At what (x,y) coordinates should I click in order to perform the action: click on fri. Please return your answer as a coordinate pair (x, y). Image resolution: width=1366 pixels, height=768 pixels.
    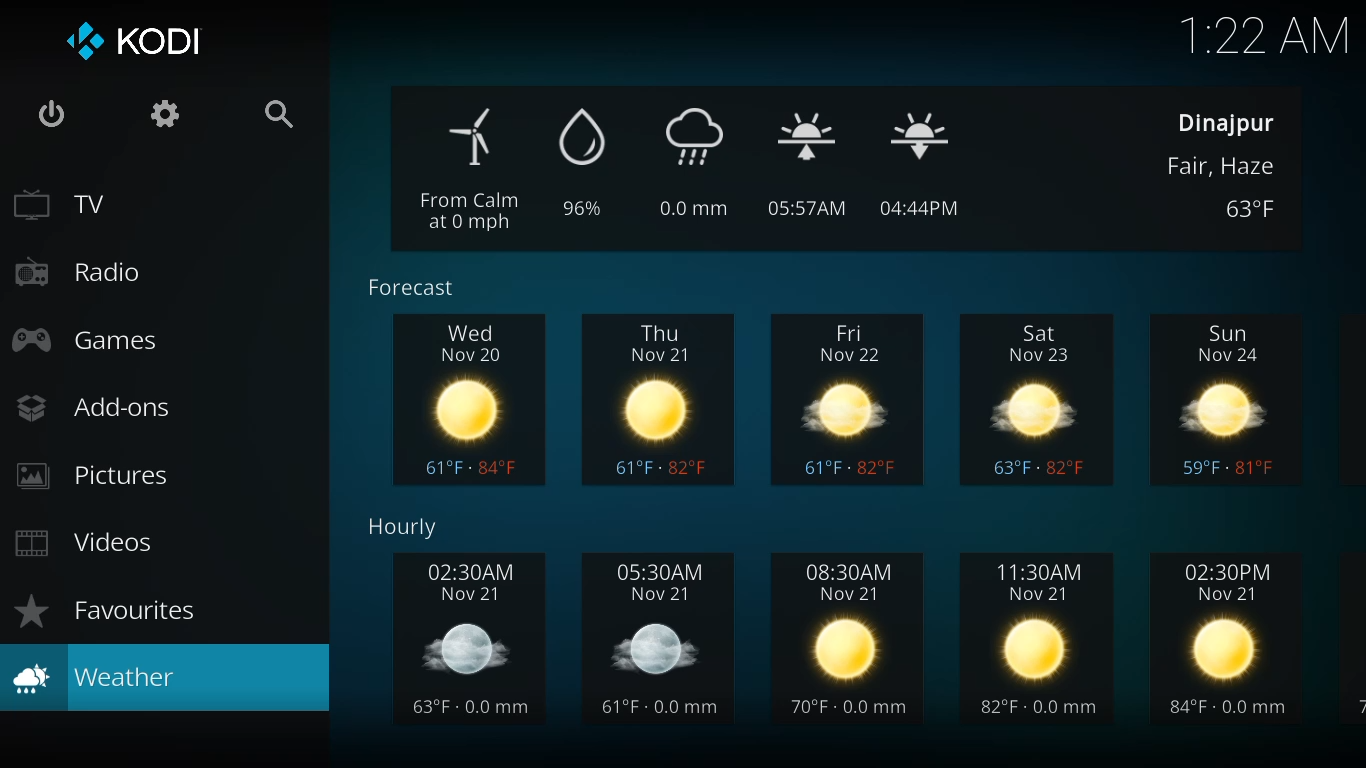
    Looking at the image, I should click on (851, 396).